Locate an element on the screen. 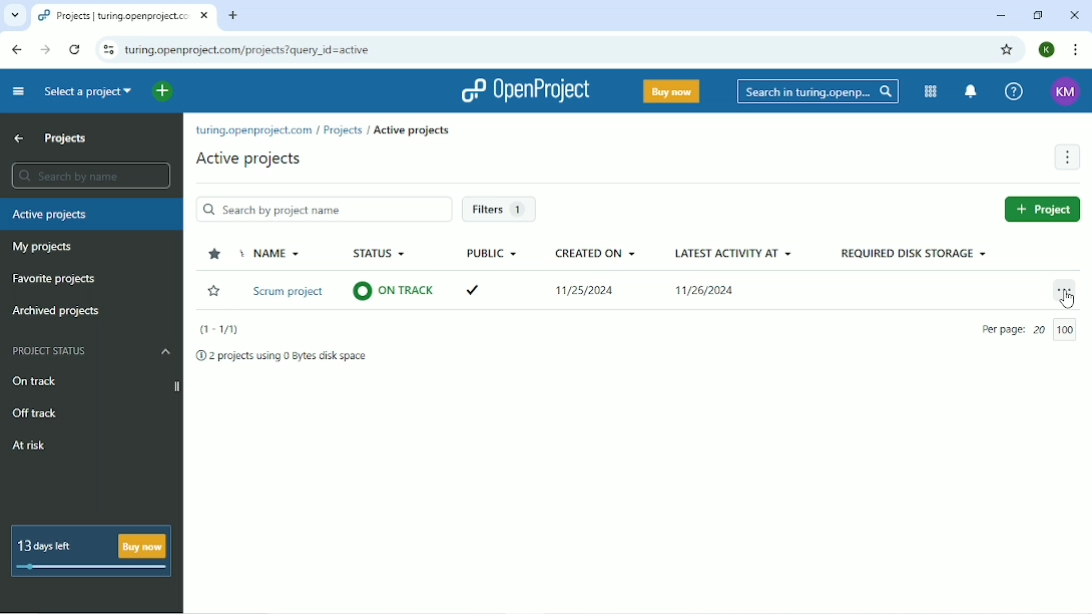  Public is located at coordinates (492, 253).